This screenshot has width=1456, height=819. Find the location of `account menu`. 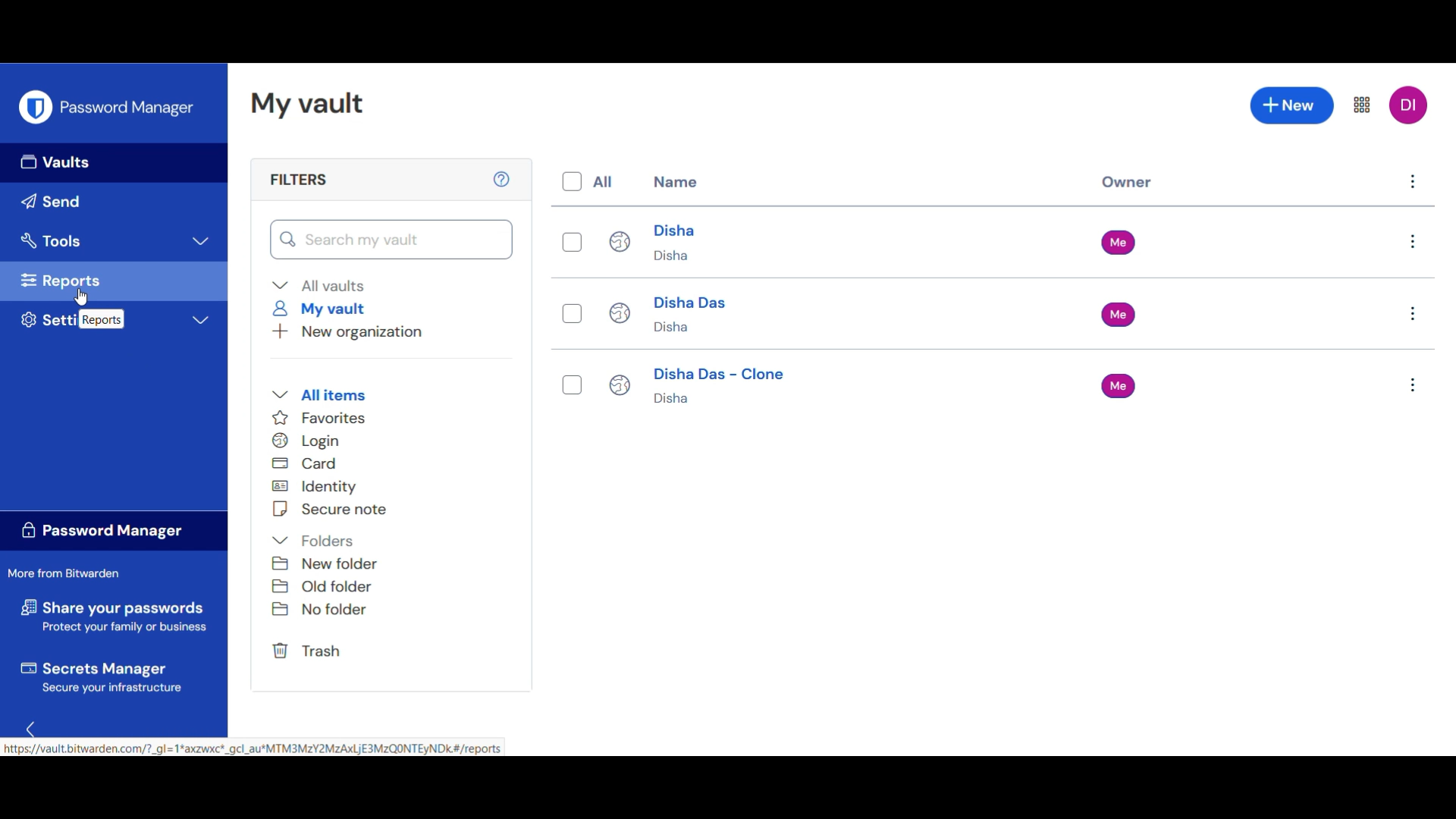

account menu is located at coordinates (1410, 105).